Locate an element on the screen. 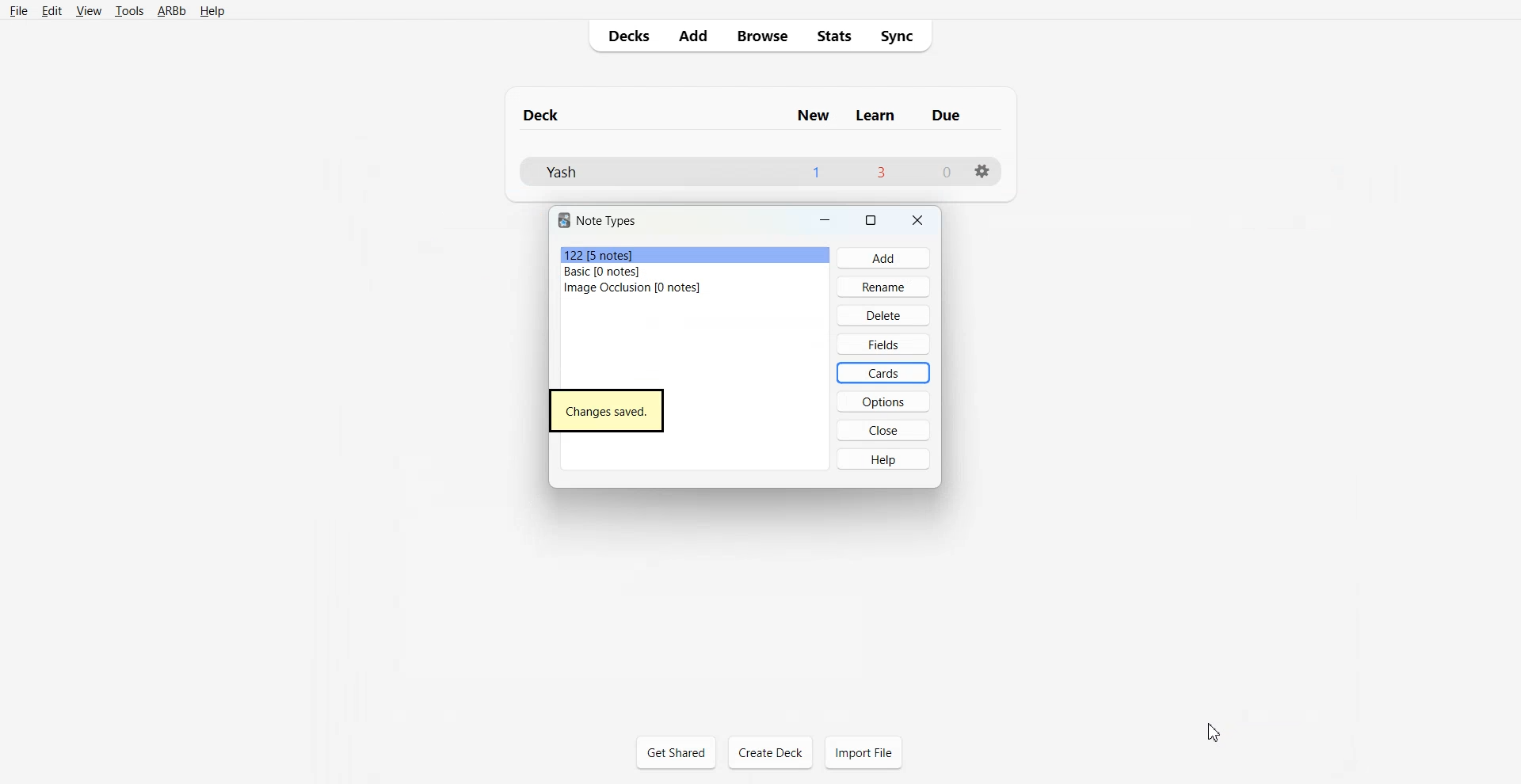  maximize is located at coordinates (871, 221).